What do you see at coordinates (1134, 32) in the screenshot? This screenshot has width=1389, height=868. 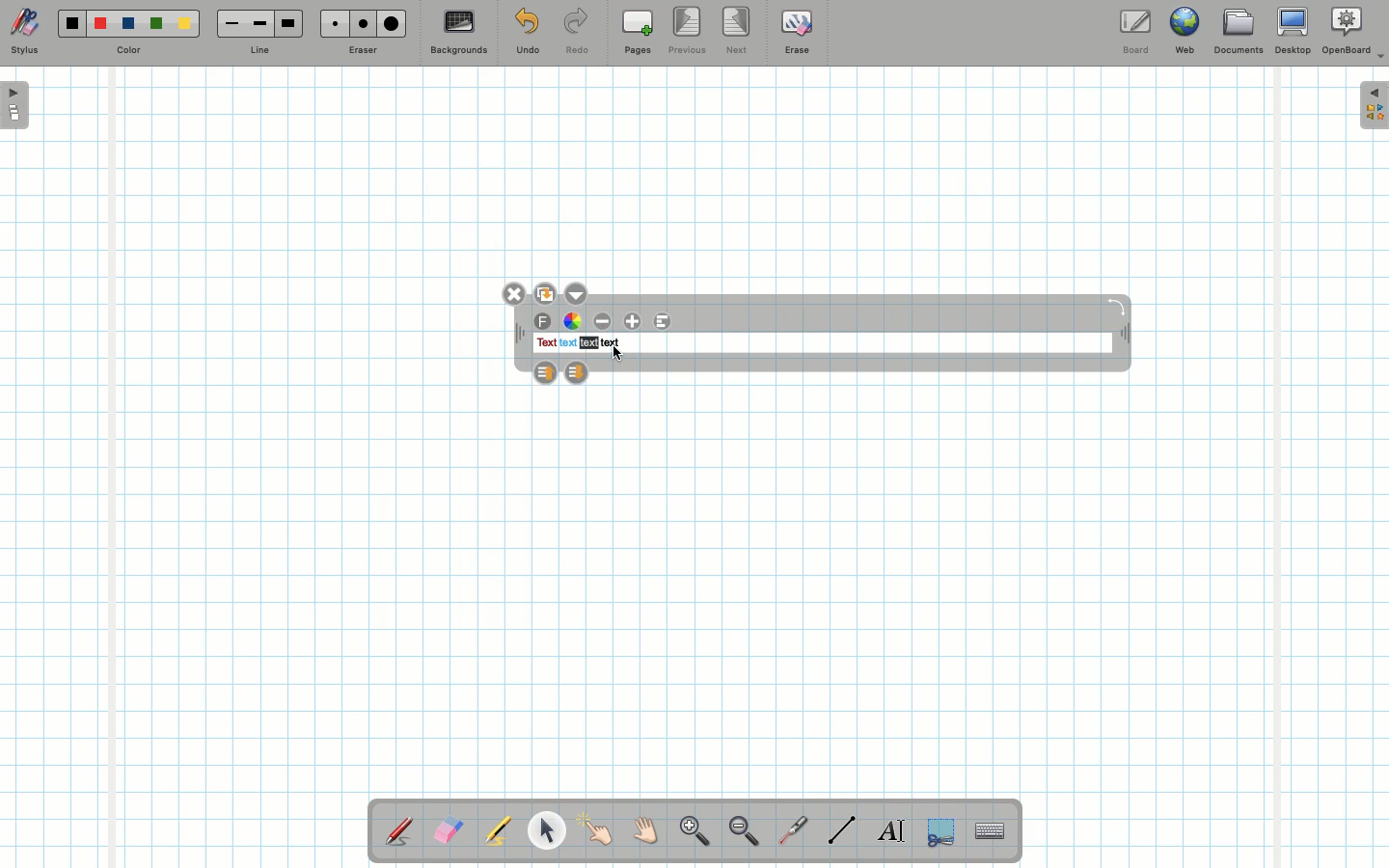 I see `Board` at bounding box center [1134, 32].